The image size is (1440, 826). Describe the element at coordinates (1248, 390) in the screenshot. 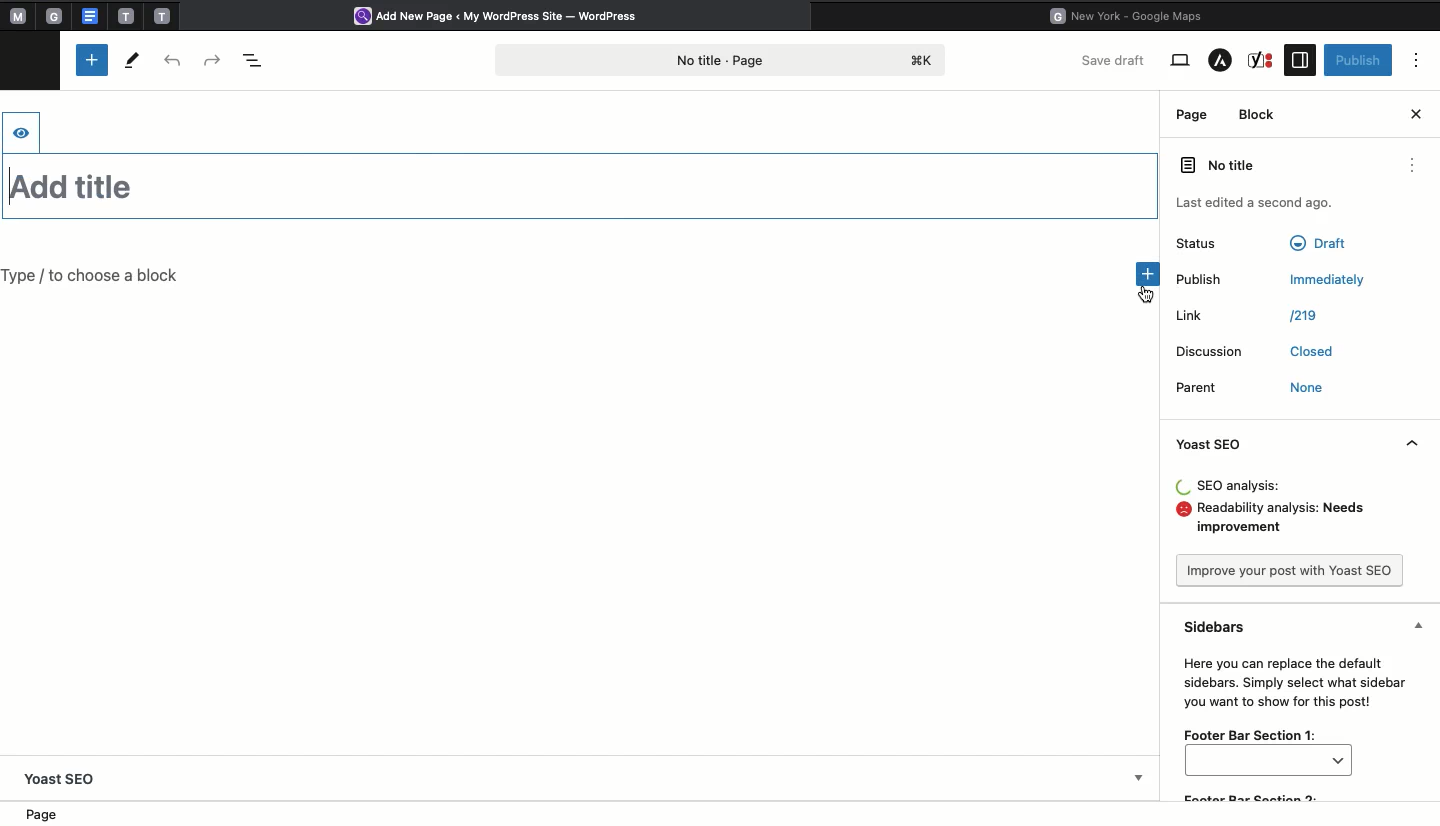

I see `Parent` at that location.